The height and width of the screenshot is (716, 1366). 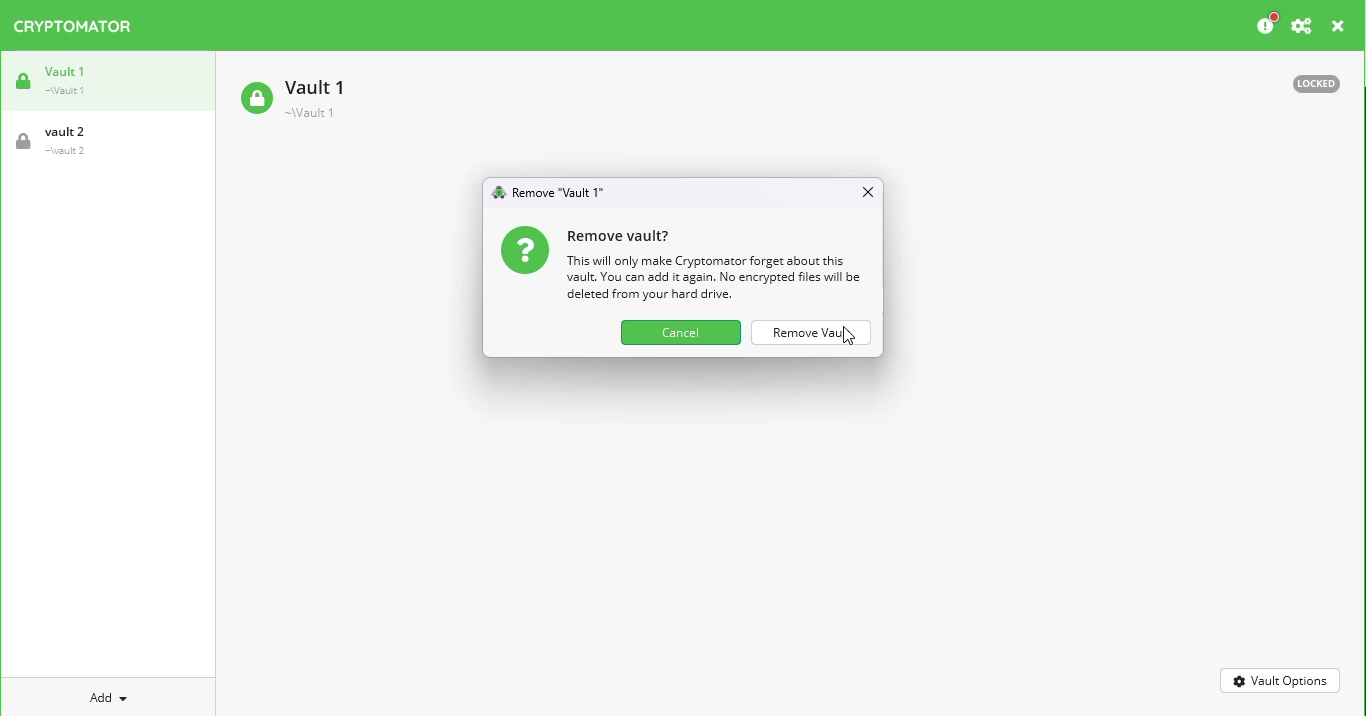 What do you see at coordinates (559, 192) in the screenshot?
I see `remove "Vault 1"` at bounding box center [559, 192].